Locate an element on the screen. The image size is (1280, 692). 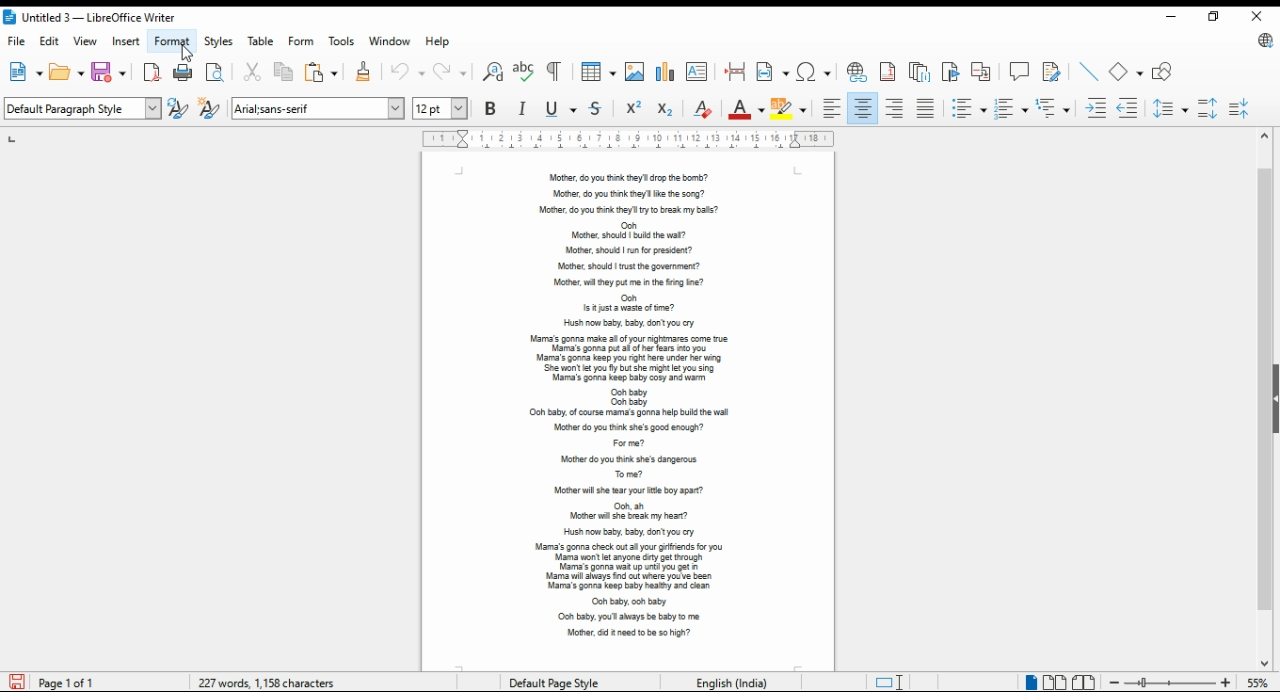
font settings is located at coordinates (318, 107).